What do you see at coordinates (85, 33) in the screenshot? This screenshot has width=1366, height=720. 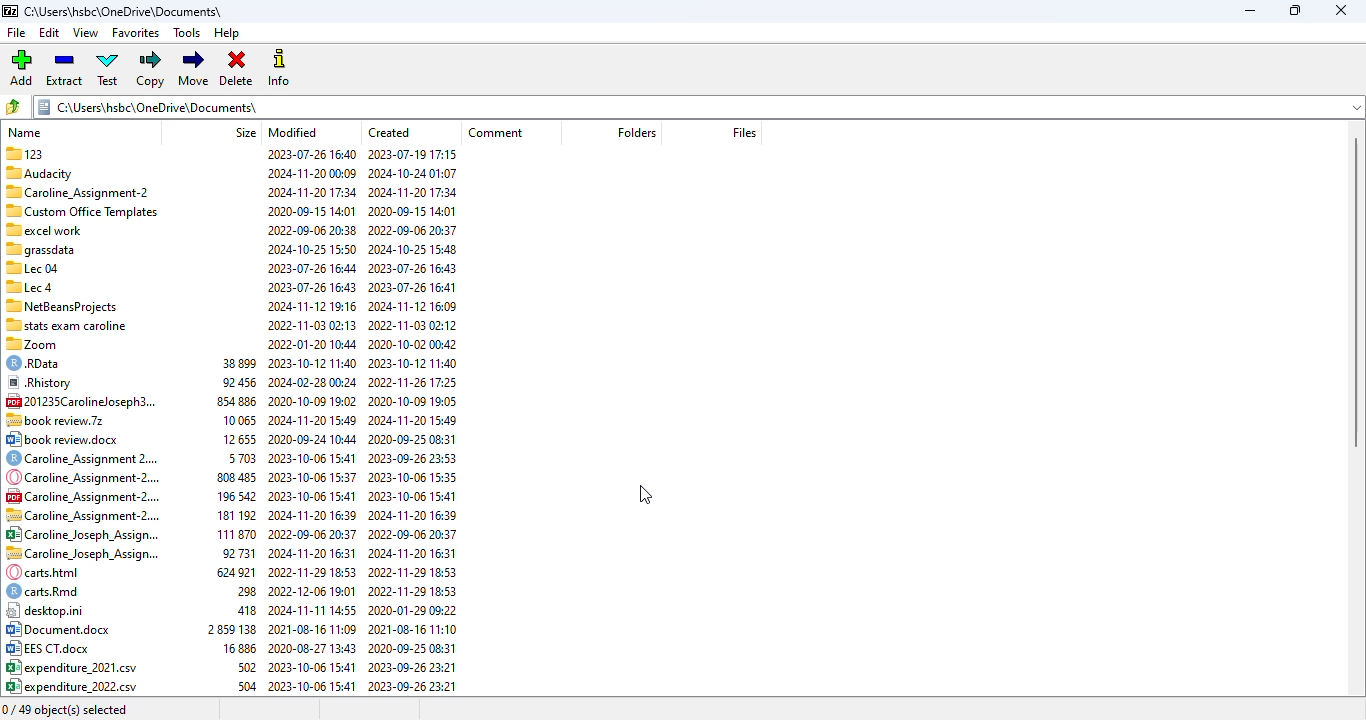 I see `view` at bounding box center [85, 33].